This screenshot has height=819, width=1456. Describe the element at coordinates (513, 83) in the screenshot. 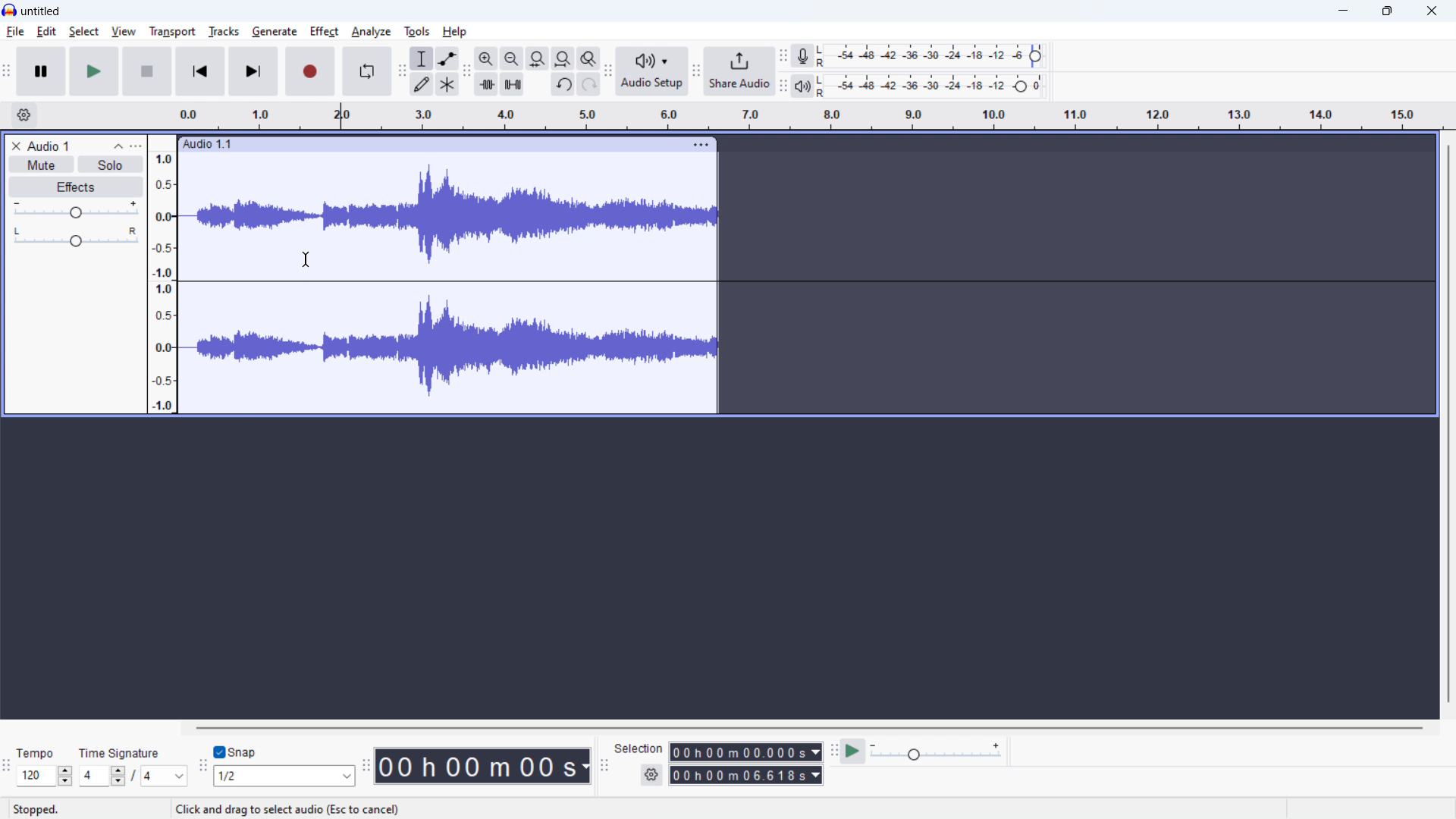

I see `silence audio selection` at that location.